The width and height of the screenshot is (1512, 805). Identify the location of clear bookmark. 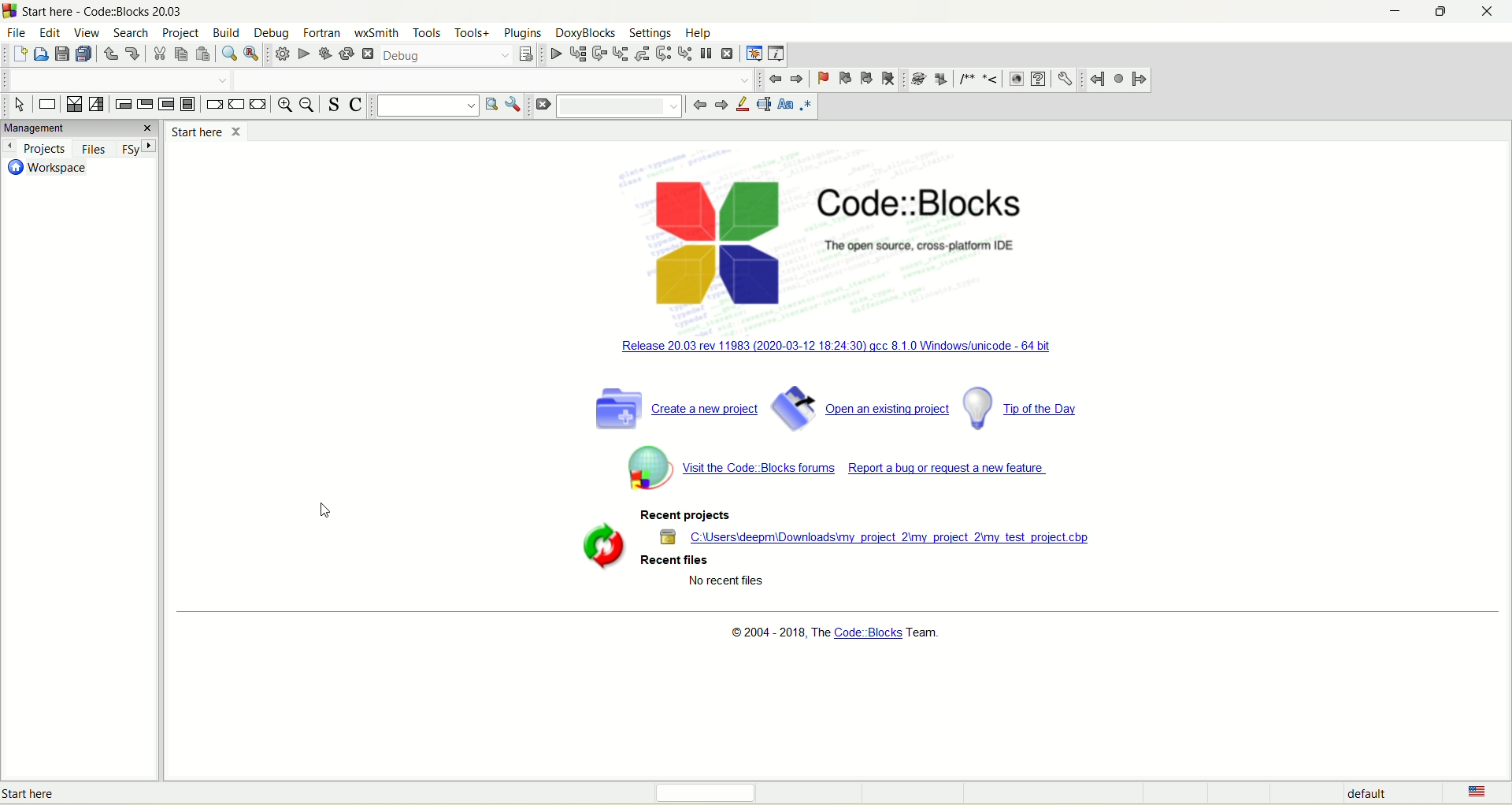
(889, 80).